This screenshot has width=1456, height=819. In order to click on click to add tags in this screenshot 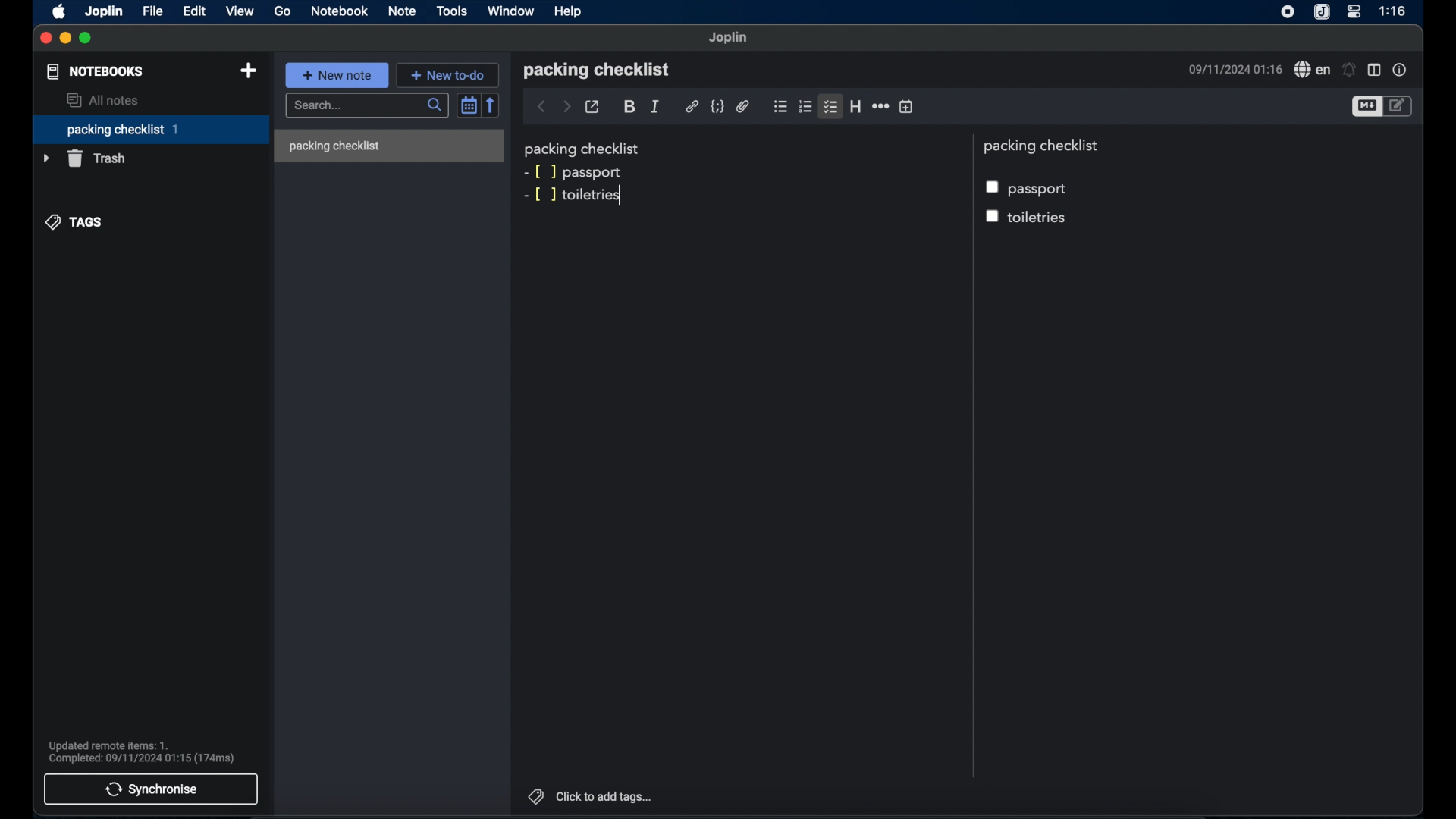, I will do `click(591, 795)`.